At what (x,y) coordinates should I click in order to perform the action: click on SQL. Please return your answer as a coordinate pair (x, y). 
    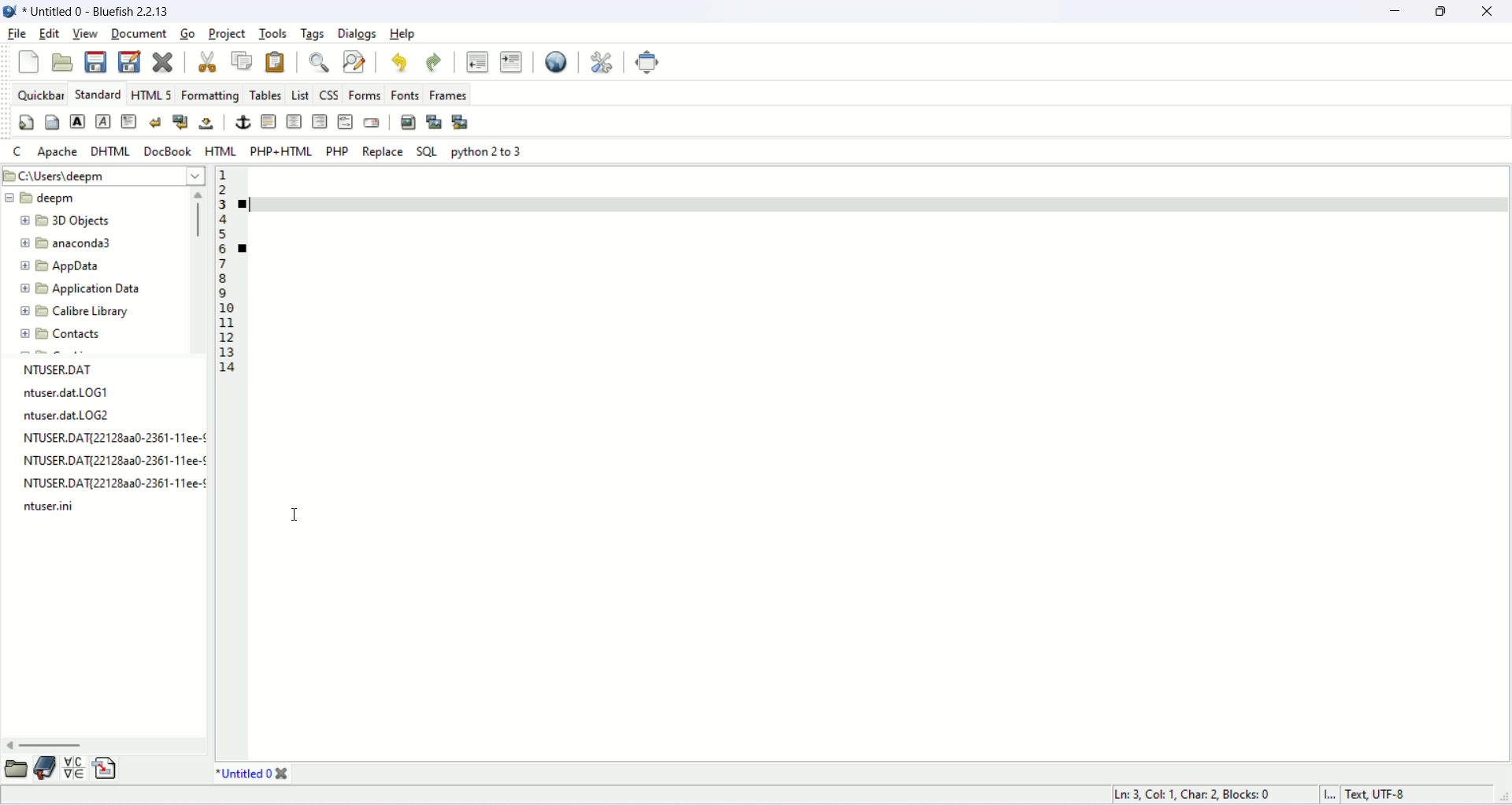
    Looking at the image, I should click on (430, 151).